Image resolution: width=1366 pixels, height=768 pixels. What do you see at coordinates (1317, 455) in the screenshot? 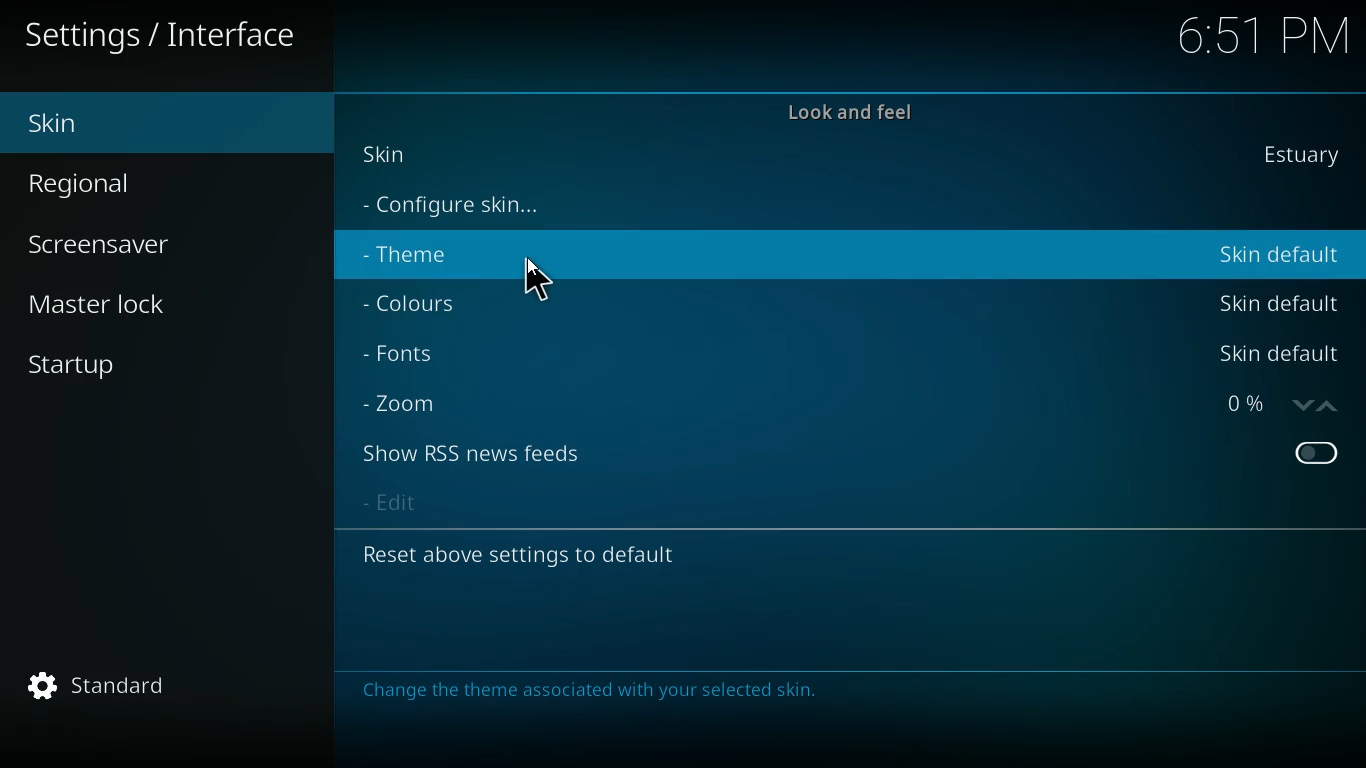
I see `on/off` at bounding box center [1317, 455].